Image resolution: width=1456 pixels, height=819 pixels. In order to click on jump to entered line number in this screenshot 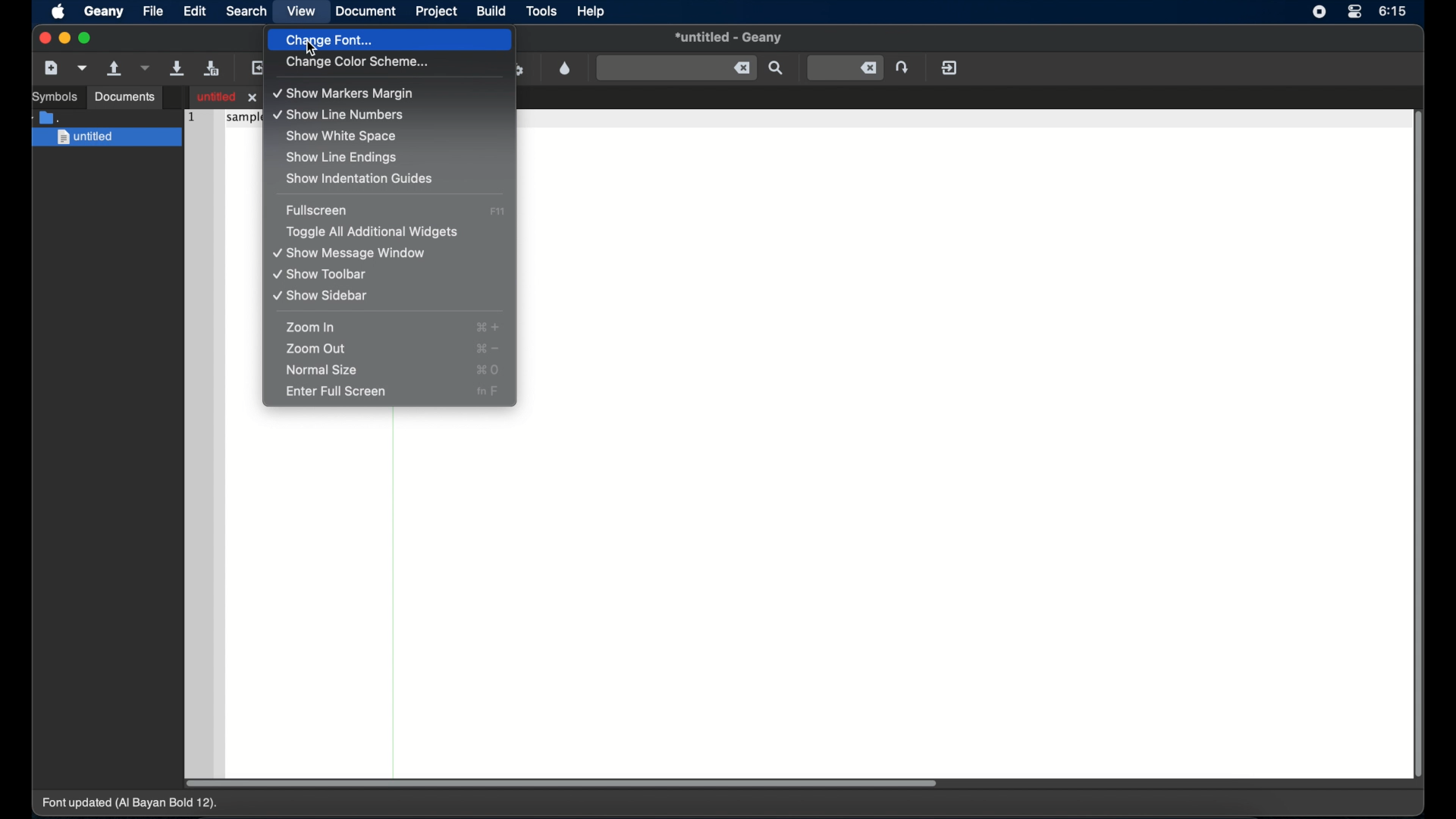, I will do `click(905, 67)`.